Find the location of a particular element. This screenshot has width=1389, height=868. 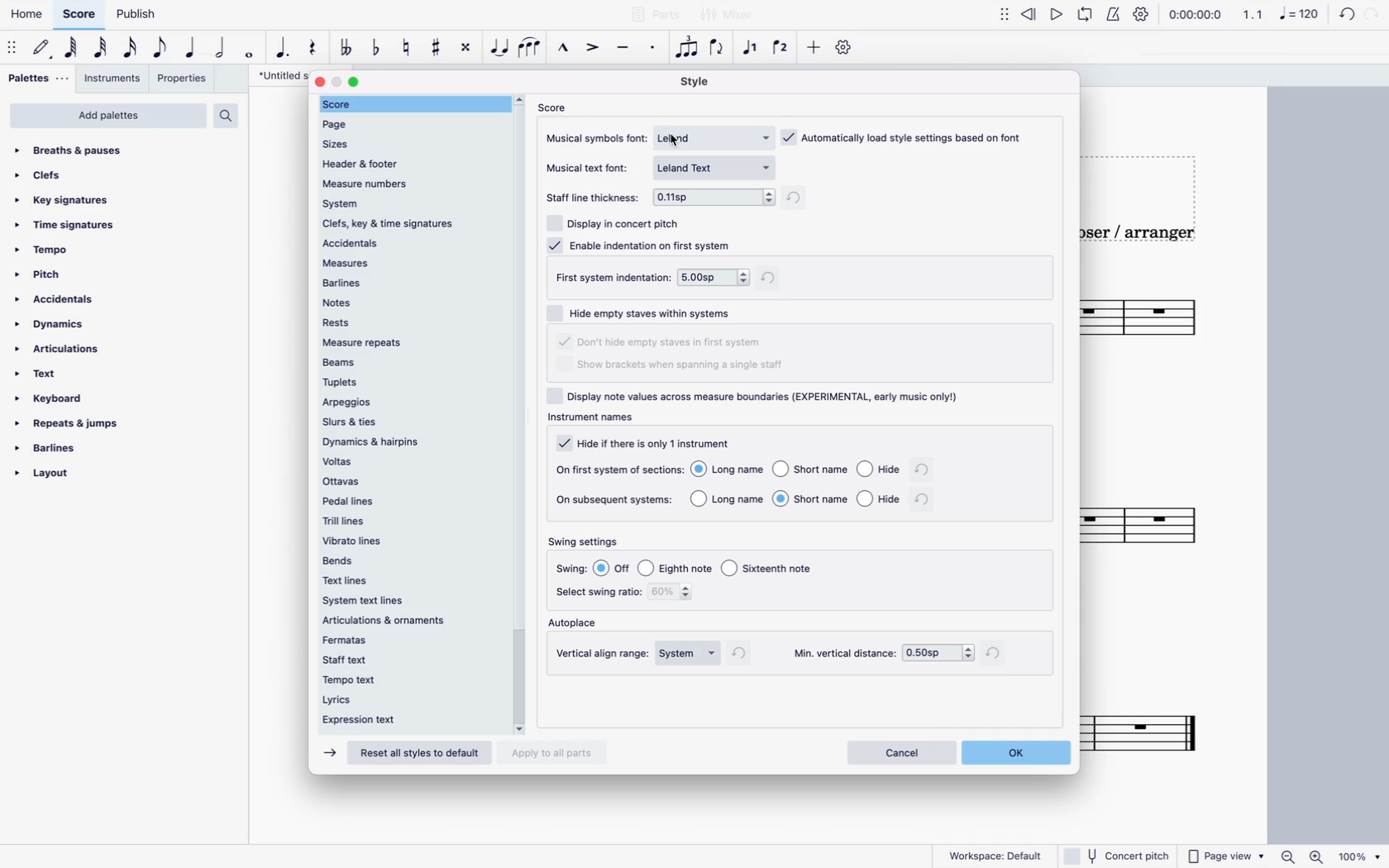

options is located at coordinates (711, 567).